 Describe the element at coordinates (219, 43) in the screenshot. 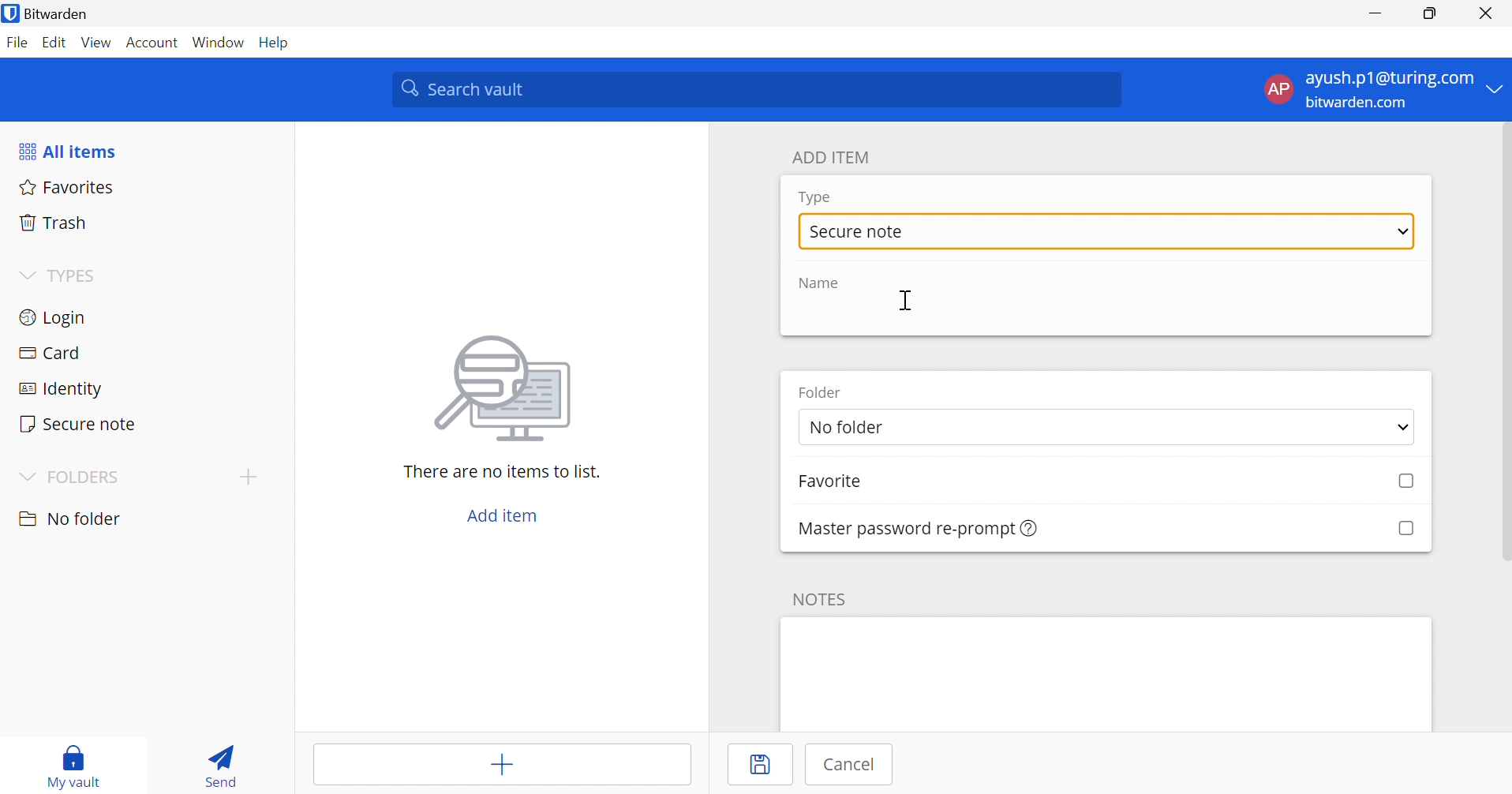

I see `Window` at that location.